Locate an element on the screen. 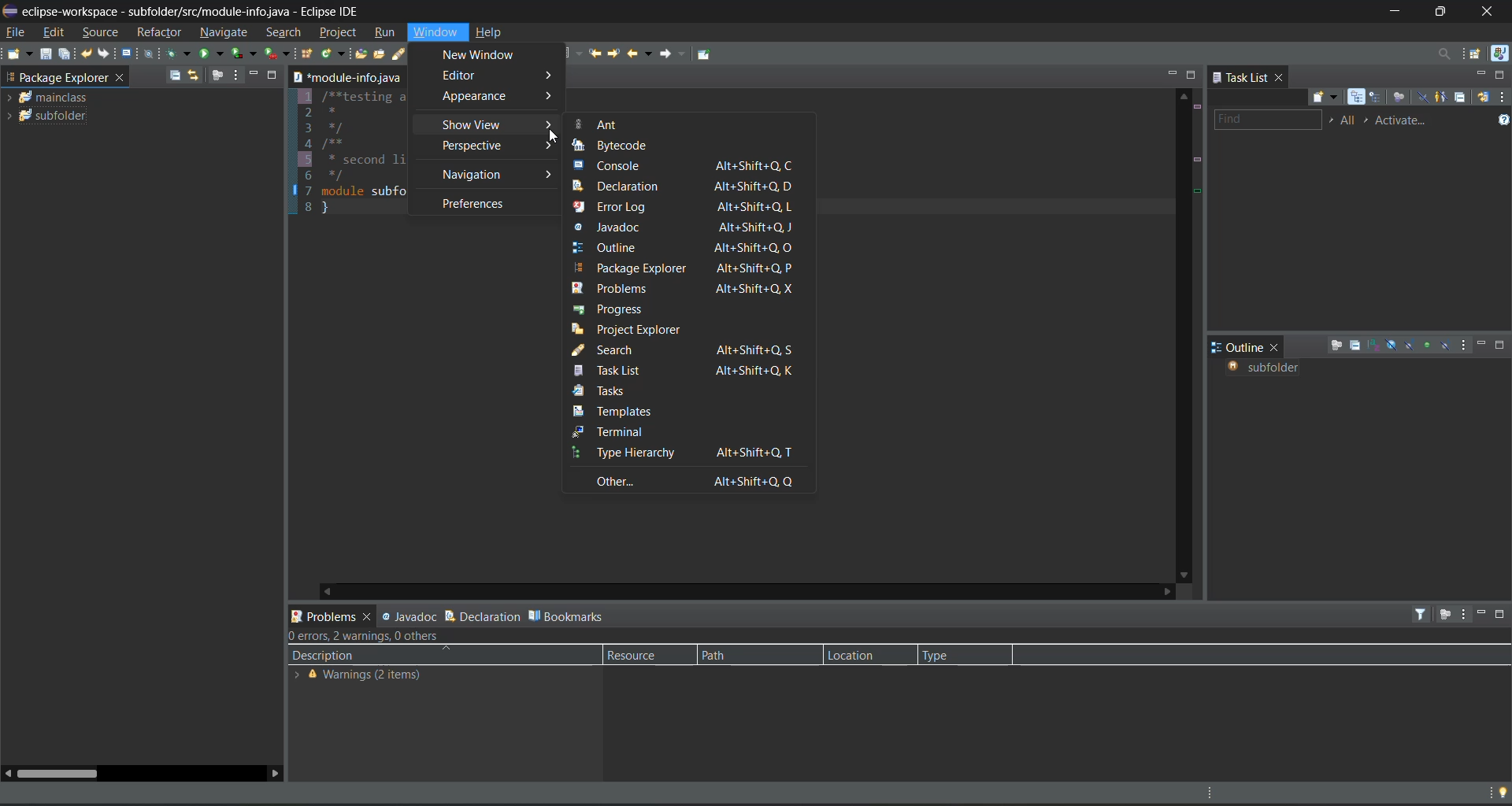 The height and width of the screenshot is (806, 1512). maximize is located at coordinates (1499, 75).